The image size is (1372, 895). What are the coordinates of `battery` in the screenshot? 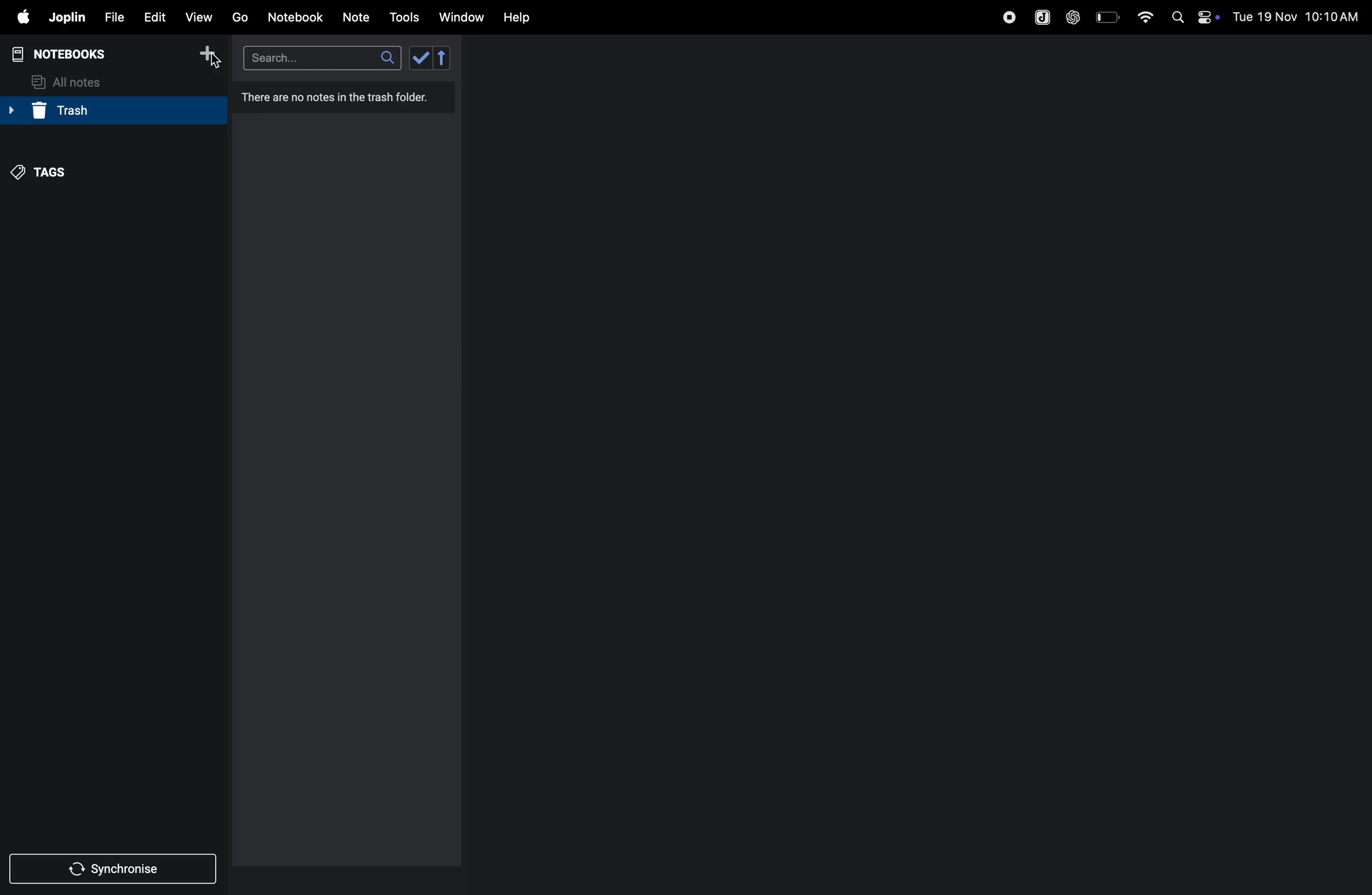 It's located at (1106, 17).